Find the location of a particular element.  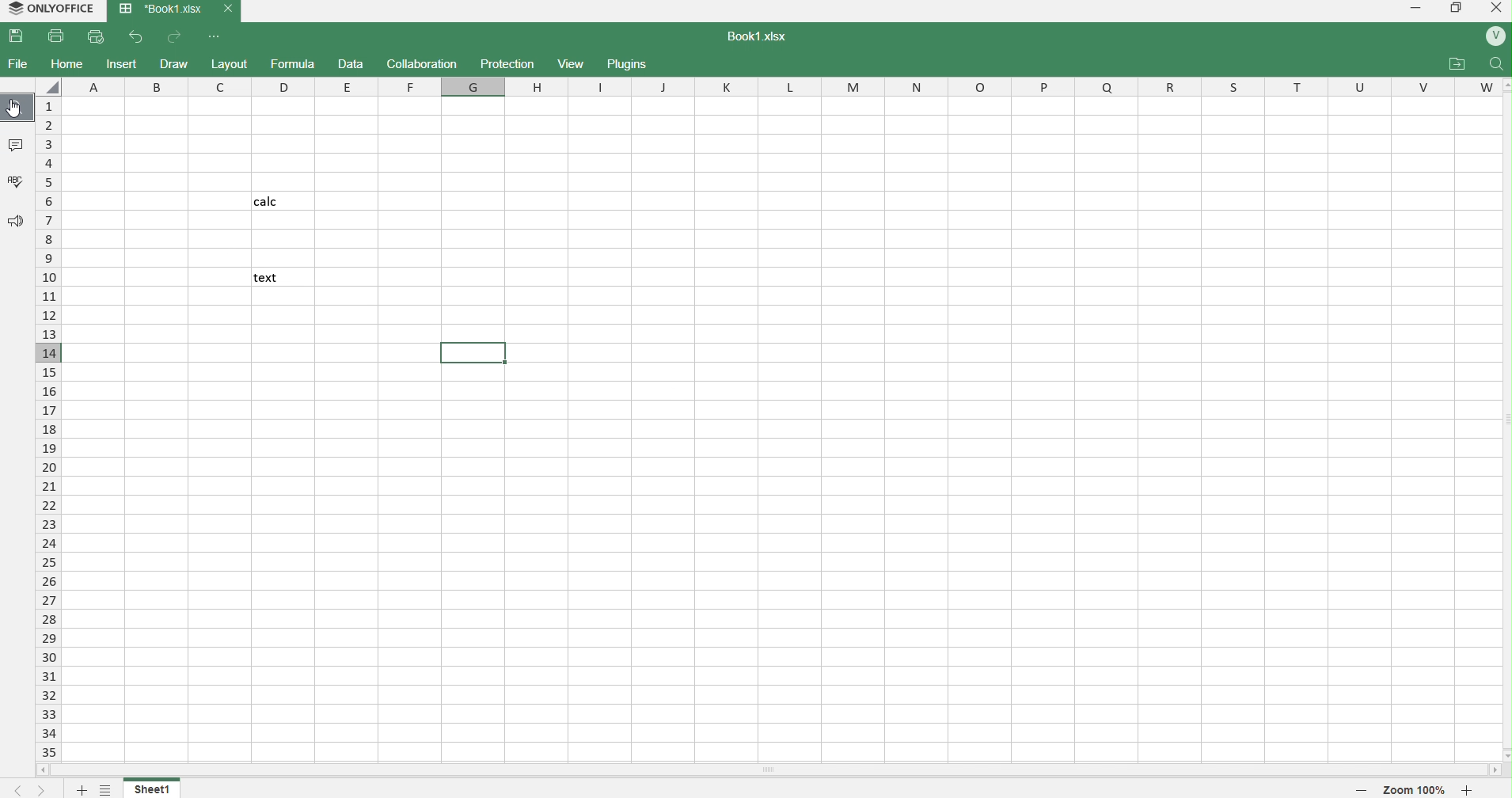

print preview is located at coordinates (98, 38).